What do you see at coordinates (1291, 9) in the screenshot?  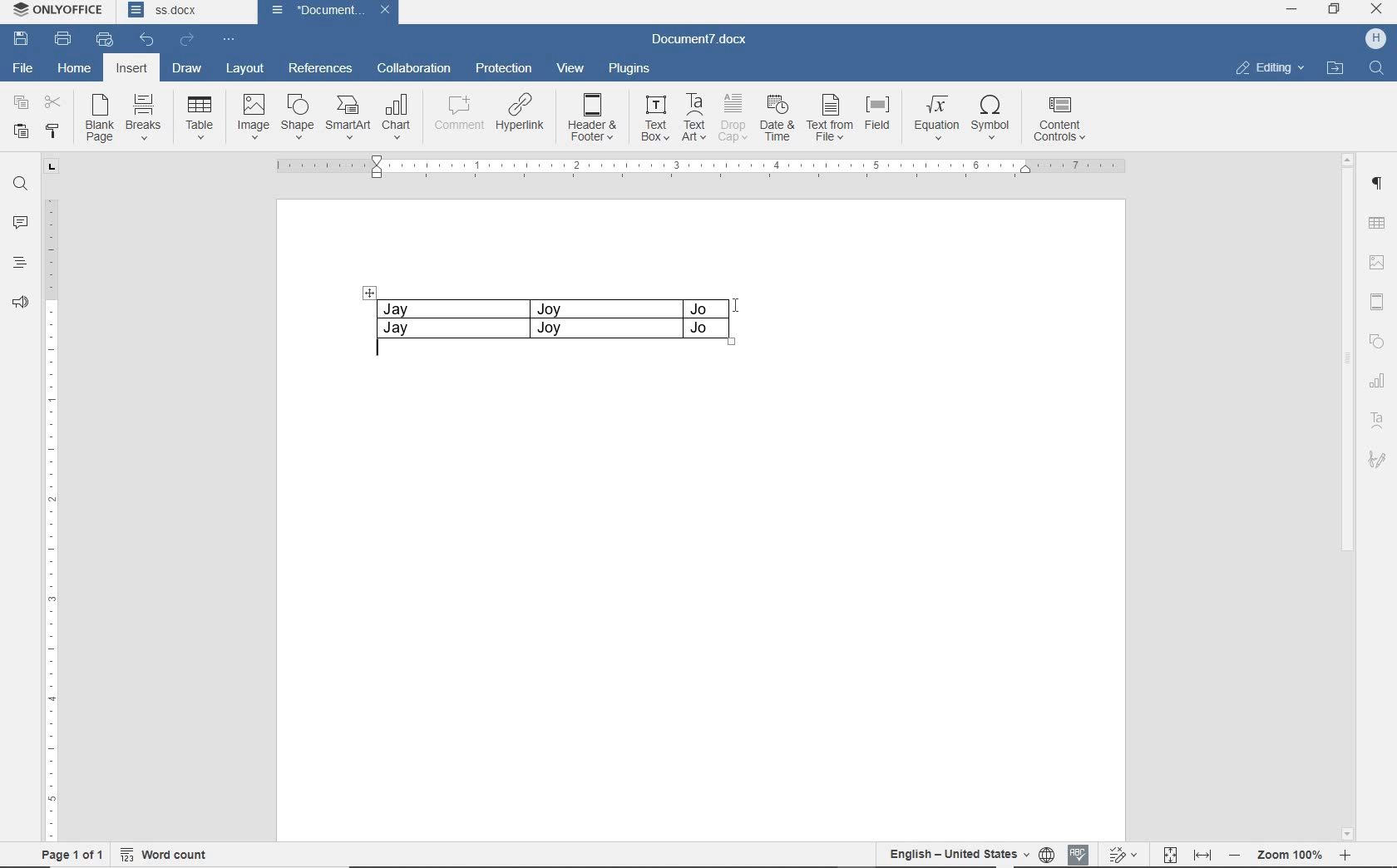 I see `MINIMIZE` at bounding box center [1291, 9].